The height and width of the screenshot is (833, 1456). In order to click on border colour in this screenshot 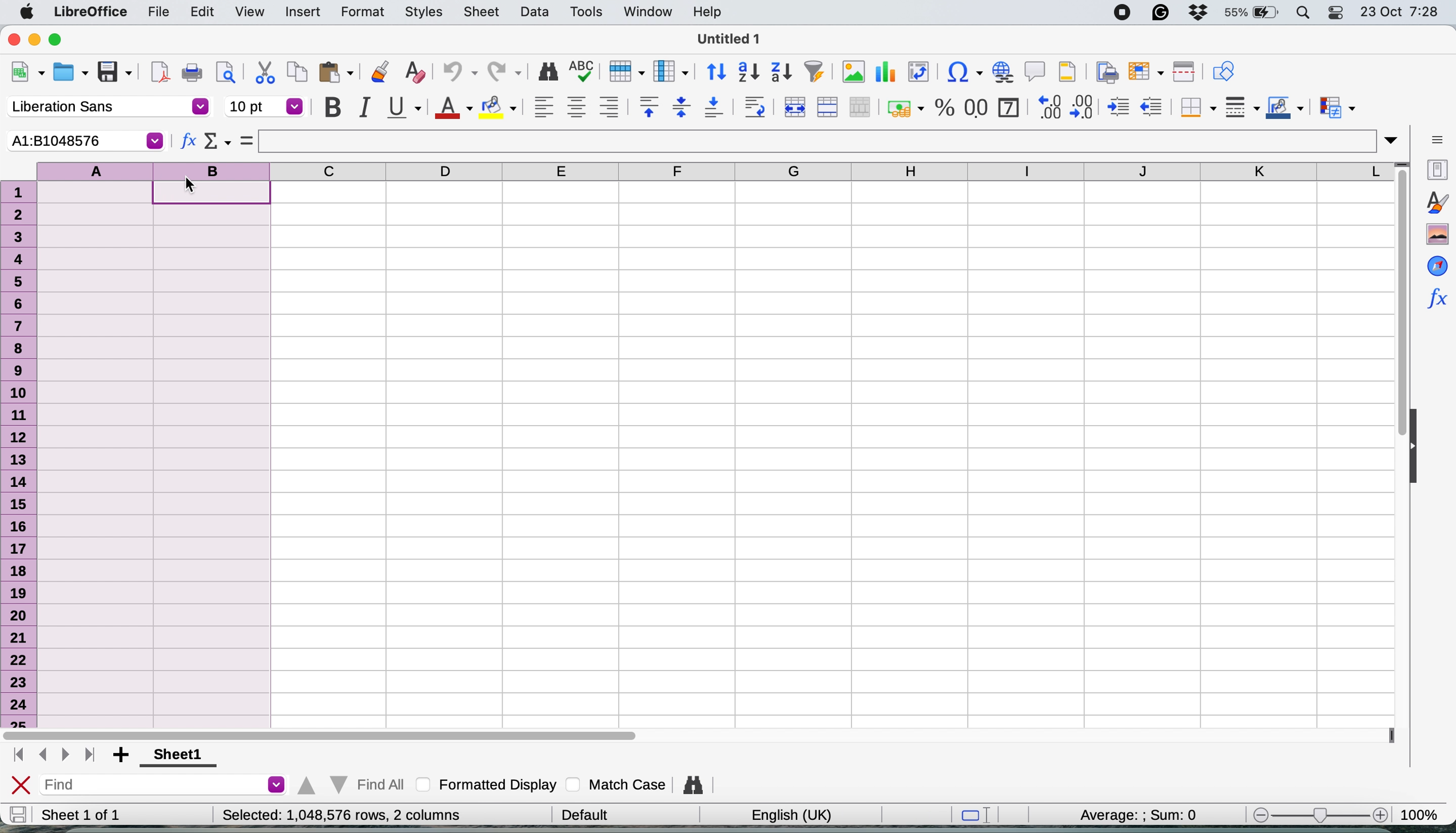, I will do `click(1284, 107)`.